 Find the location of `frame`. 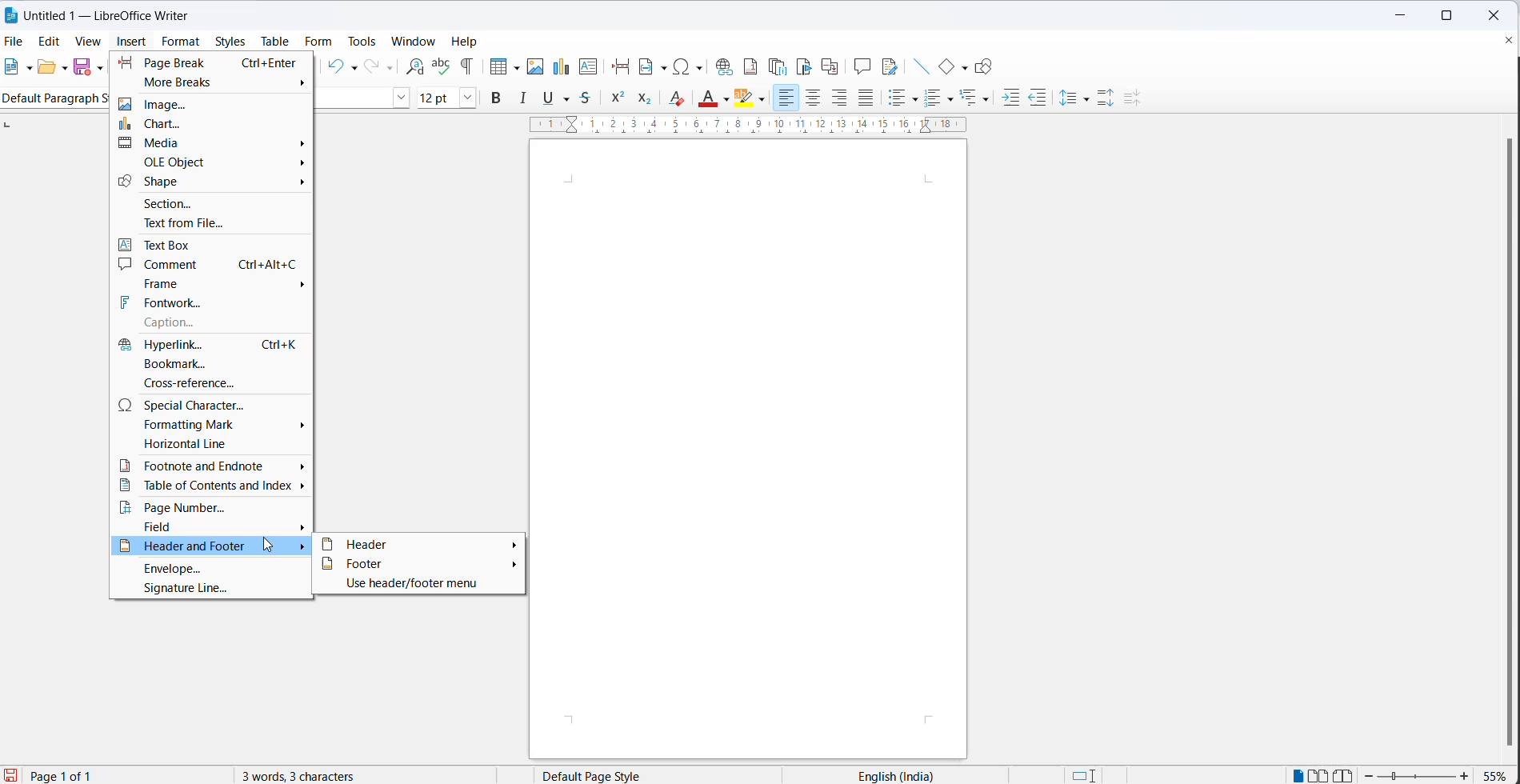

frame is located at coordinates (210, 286).